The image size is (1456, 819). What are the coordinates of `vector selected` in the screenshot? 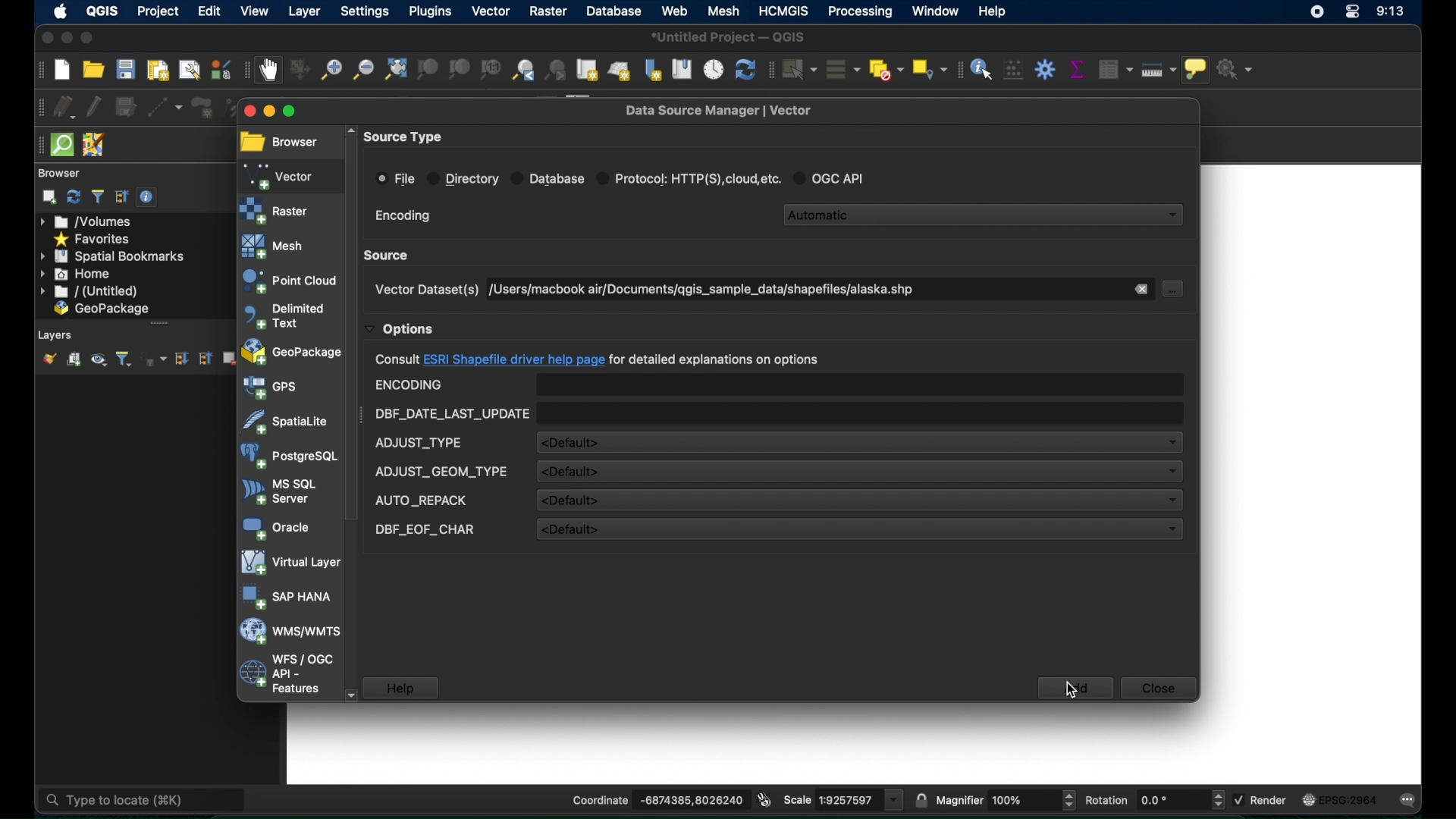 It's located at (280, 175).